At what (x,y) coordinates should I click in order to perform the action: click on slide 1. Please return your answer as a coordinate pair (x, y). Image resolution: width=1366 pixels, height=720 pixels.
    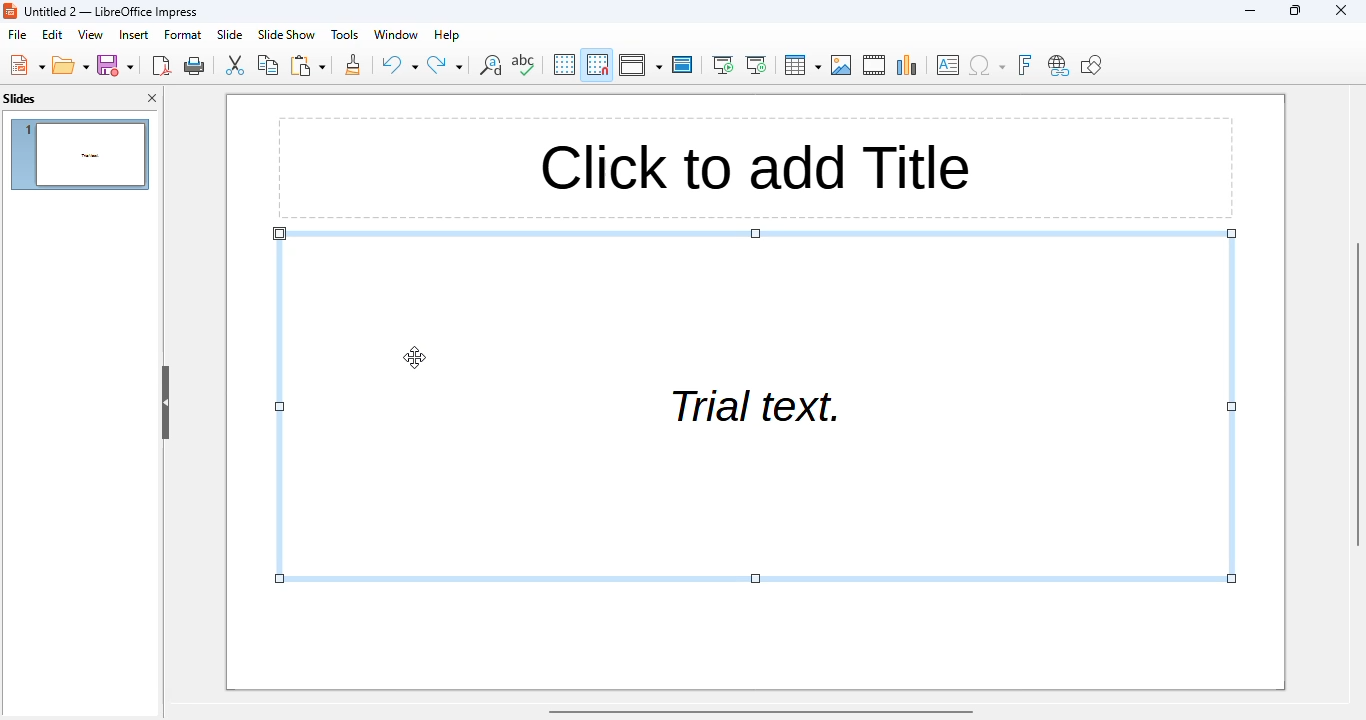
    Looking at the image, I should click on (79, 155).